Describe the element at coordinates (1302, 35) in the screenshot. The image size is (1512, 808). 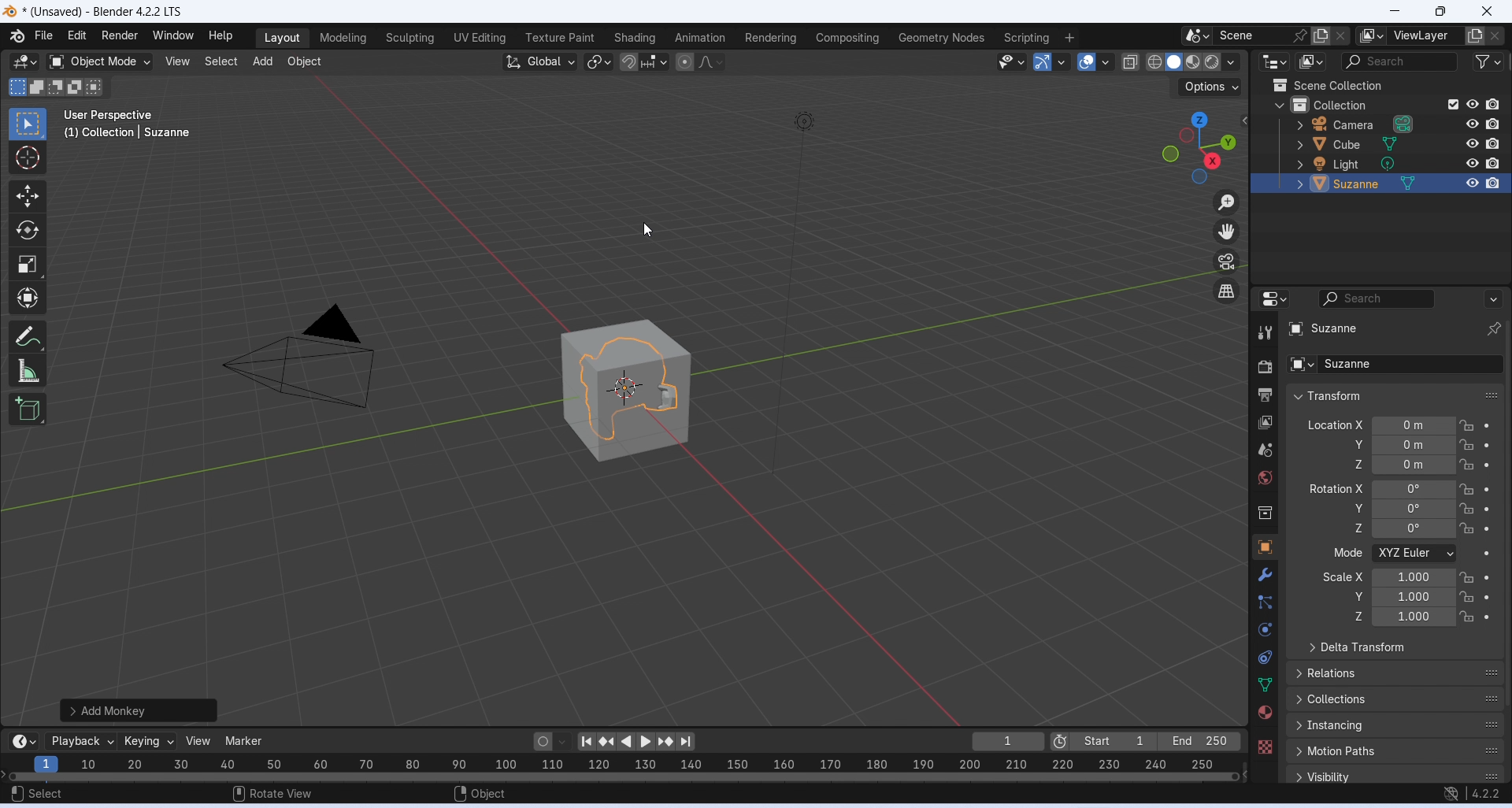
I see `pin scene` at that location.